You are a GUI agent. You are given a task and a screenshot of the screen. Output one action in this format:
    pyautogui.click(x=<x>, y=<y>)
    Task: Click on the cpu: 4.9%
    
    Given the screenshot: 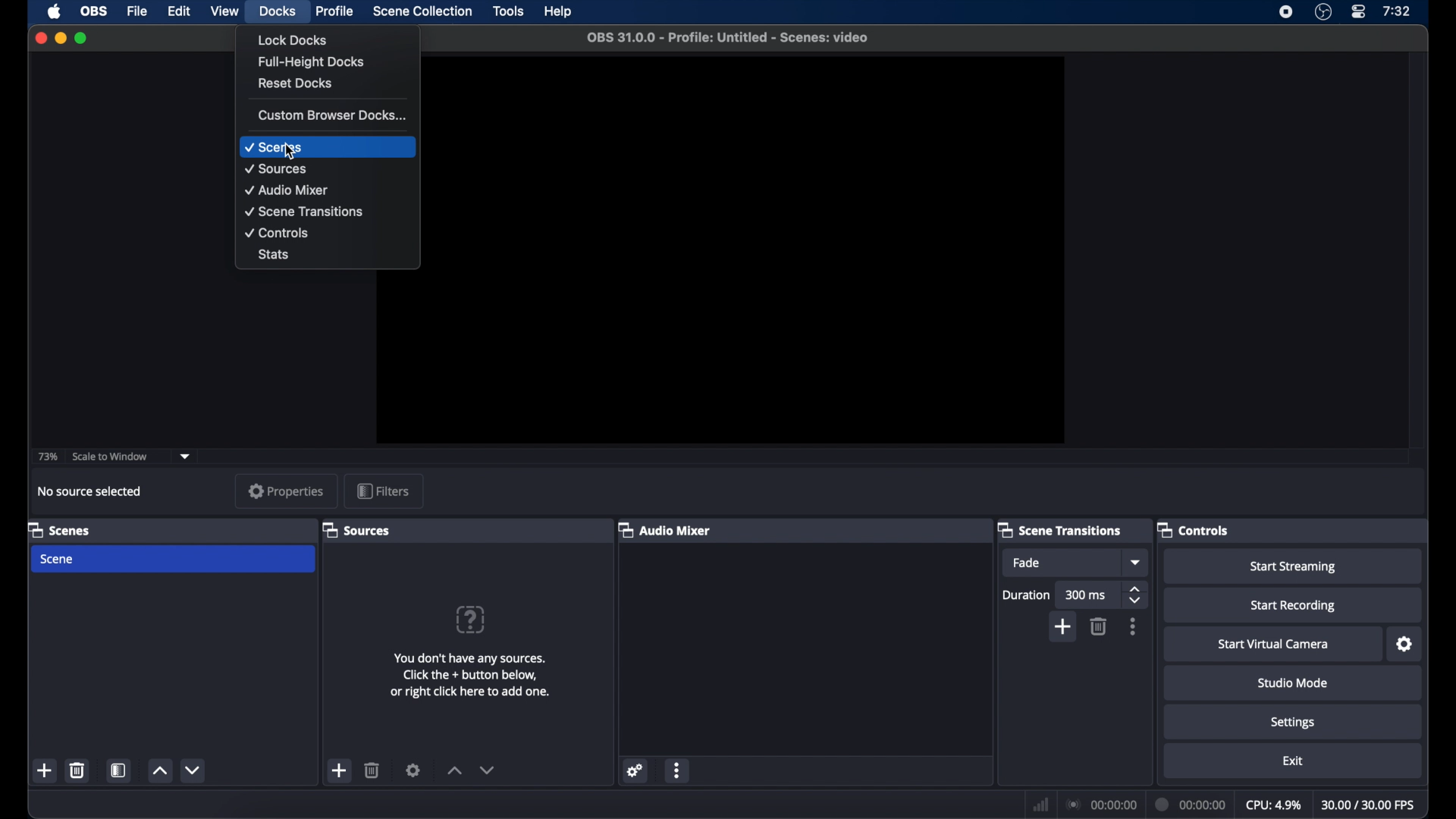 What is the action you would take?
    pyautogui.click(x=1273, y=803)
    